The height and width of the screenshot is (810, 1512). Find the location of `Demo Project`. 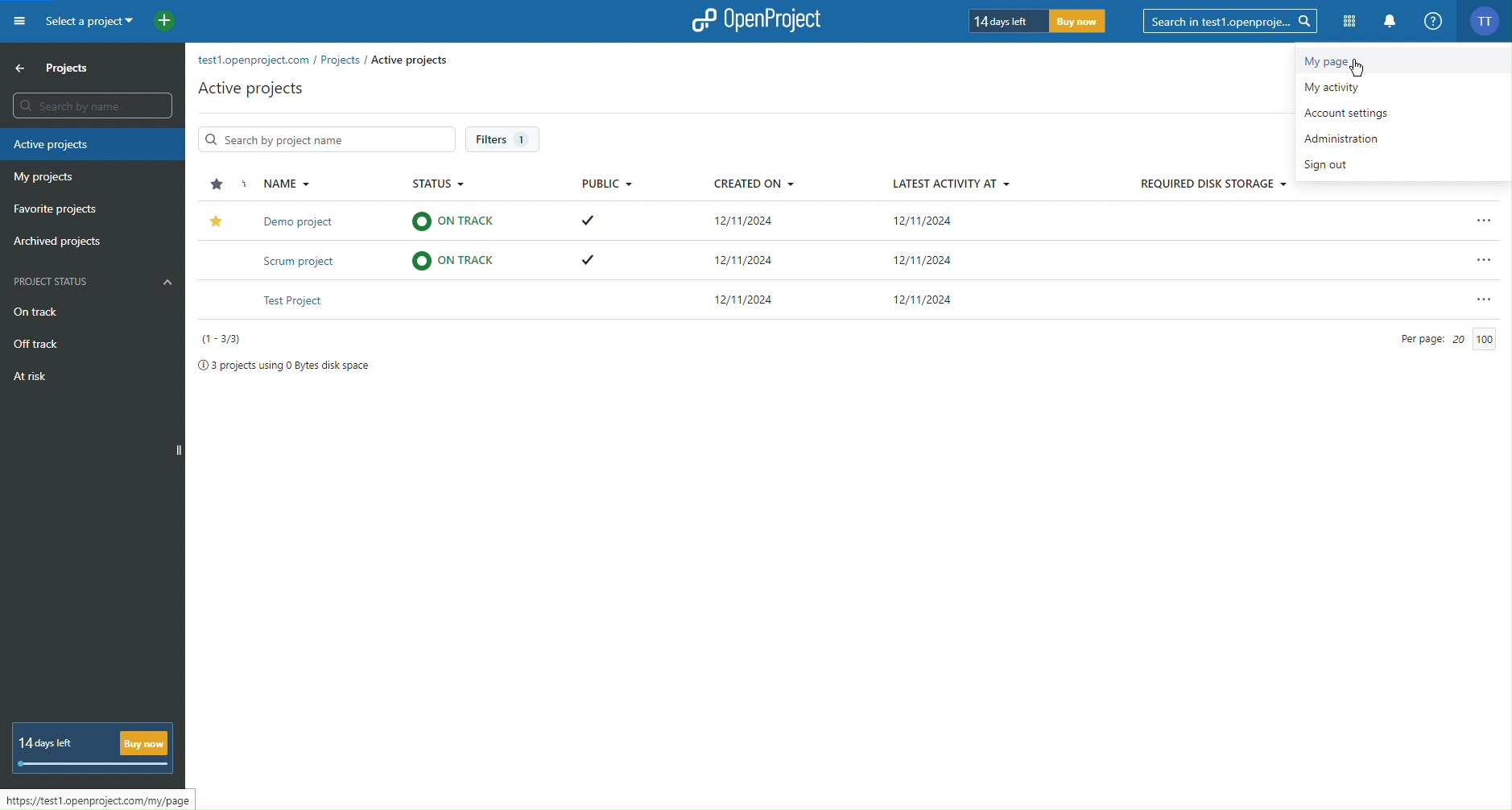

Demo Project is located at coordinates (306, 221).